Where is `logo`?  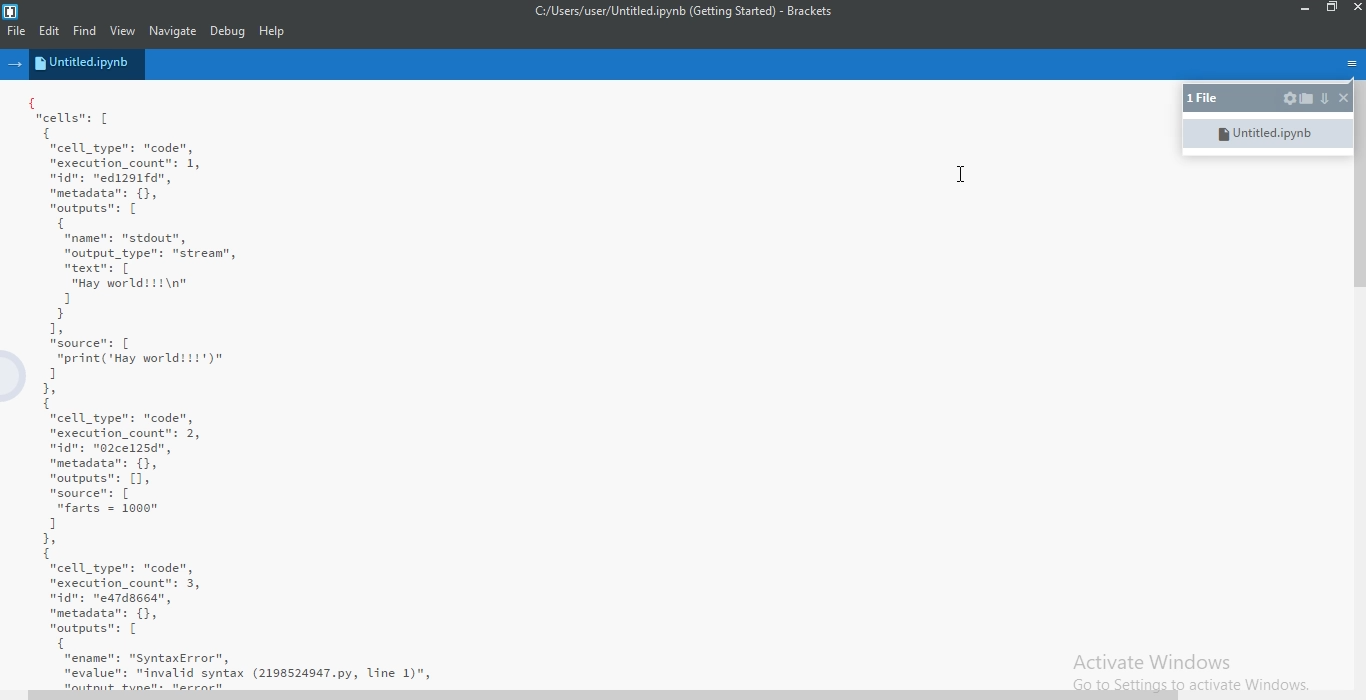 logo is located at coordinates (11, 8).